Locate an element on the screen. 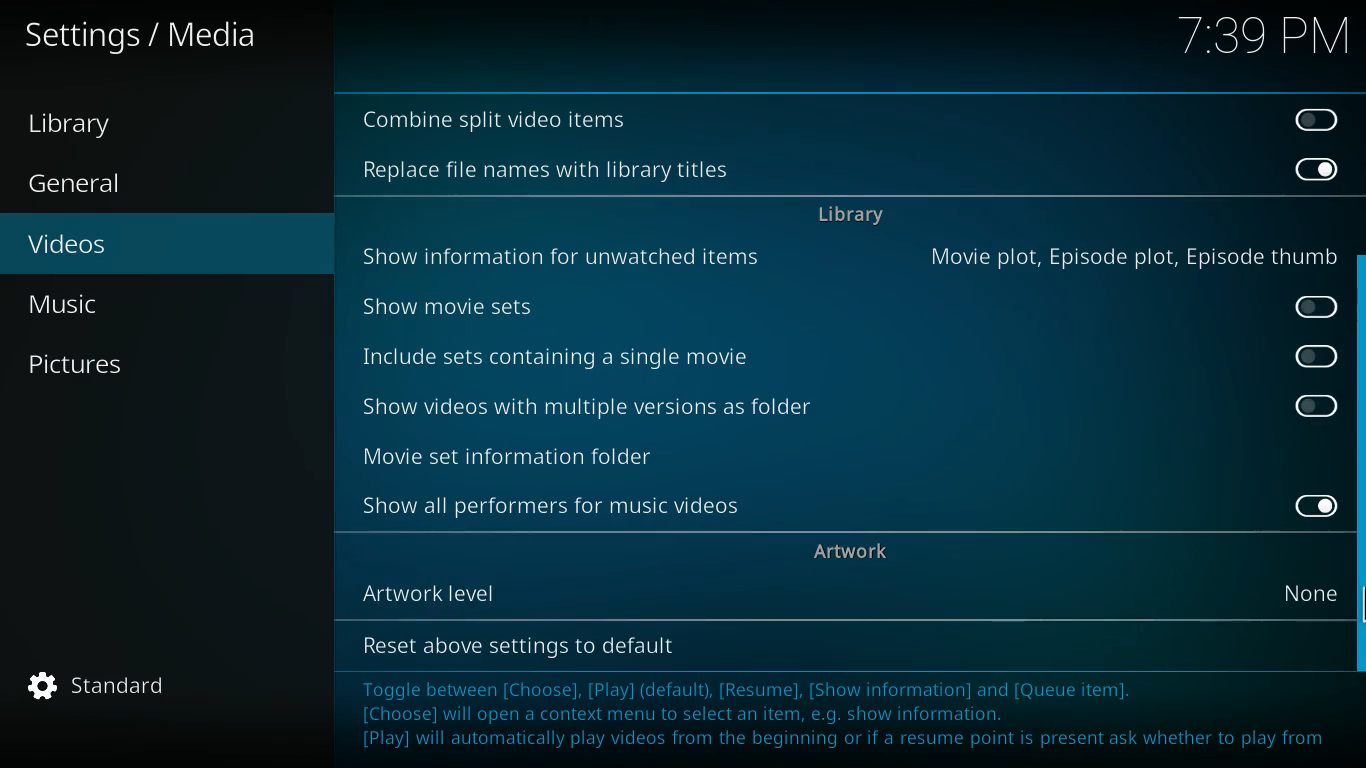  library is located at coordinates (850, 218).